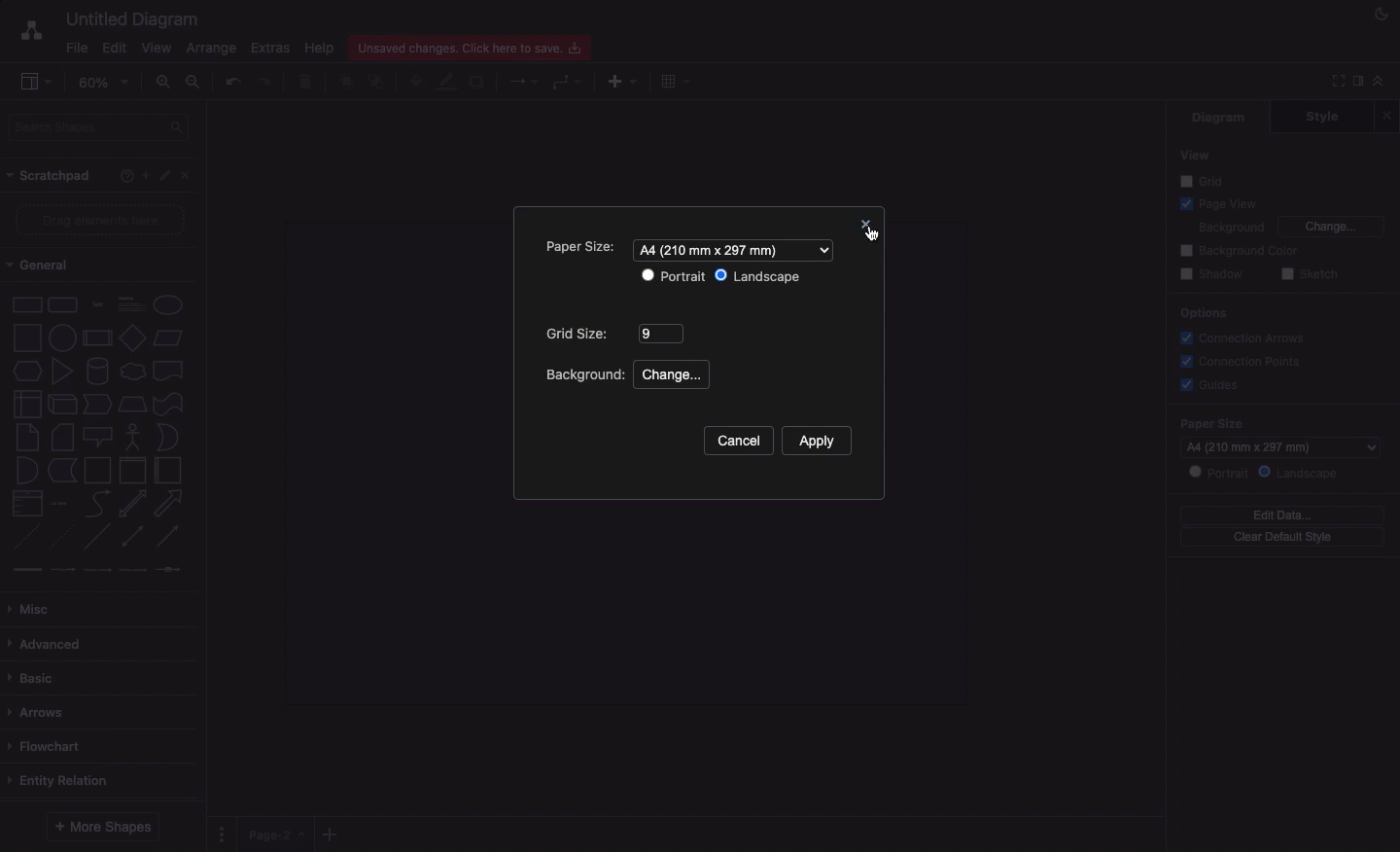  What do you see at coordinates (1281, 515) in the screenshot?
I see `Edit data` at bounding box center [1281, 515].